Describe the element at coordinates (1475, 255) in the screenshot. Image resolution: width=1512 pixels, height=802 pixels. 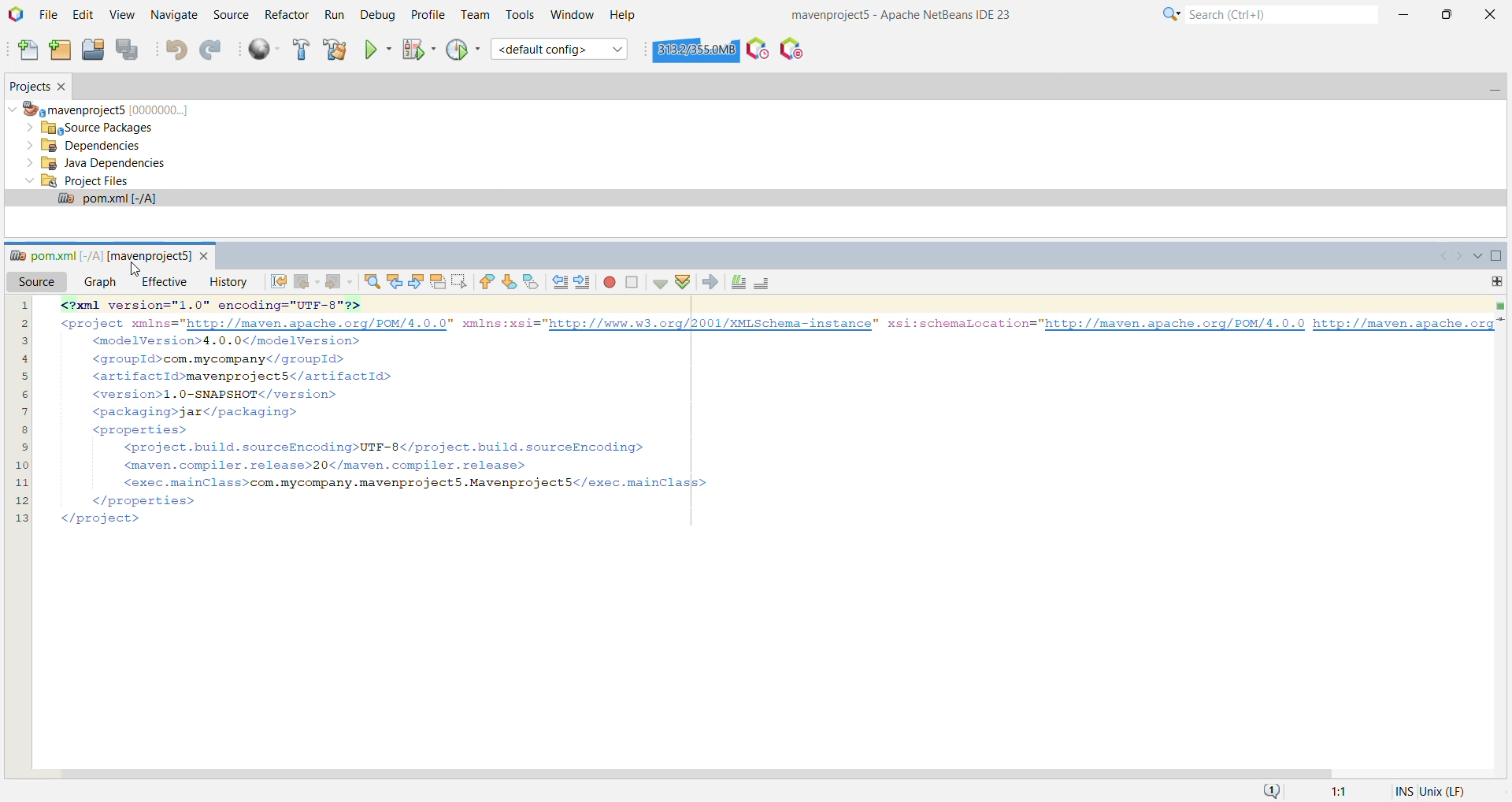
I see `Show All Opened Documents` at that location.